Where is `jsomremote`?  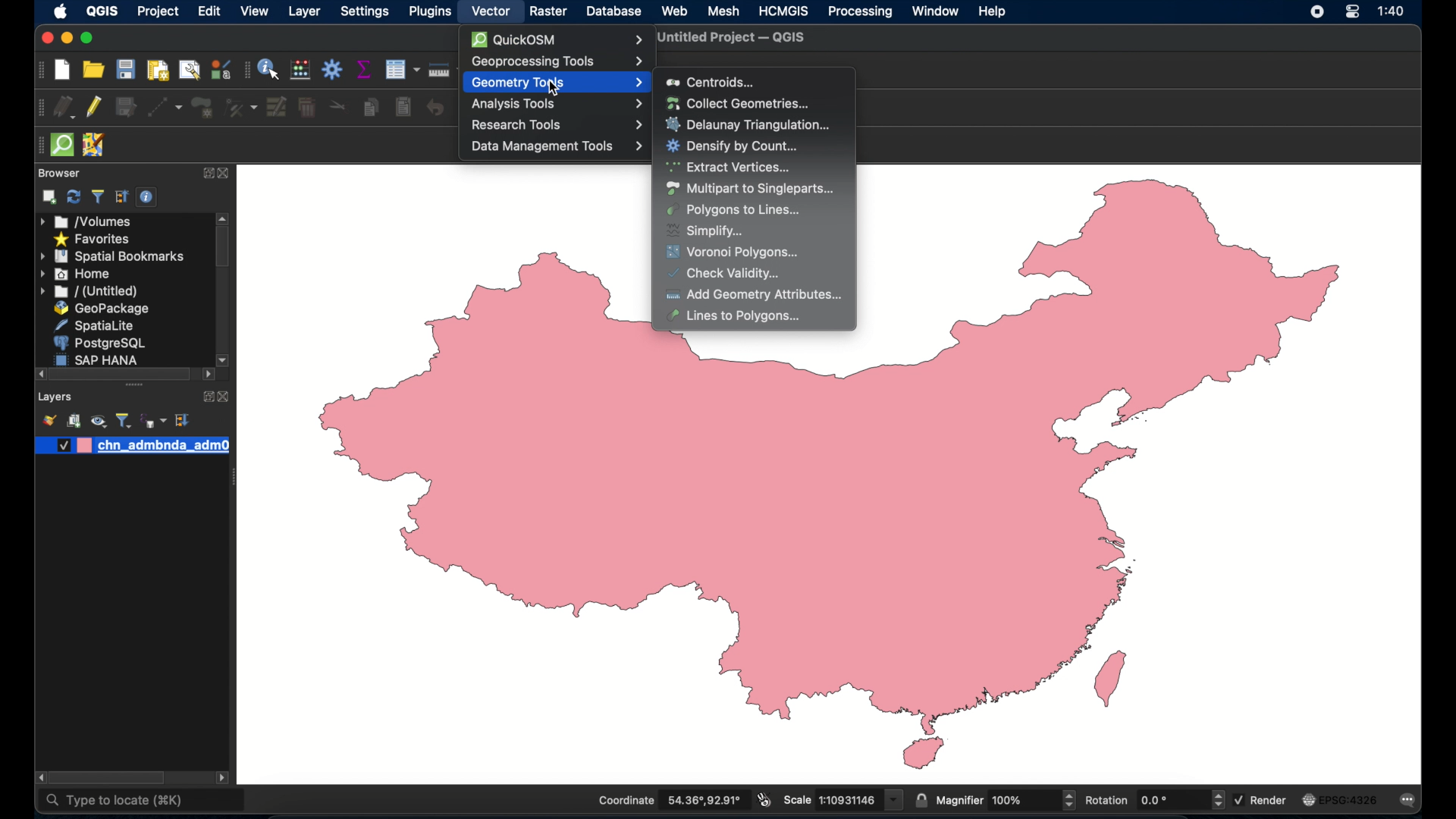 jsomremote is located at coordinates (95, 145).